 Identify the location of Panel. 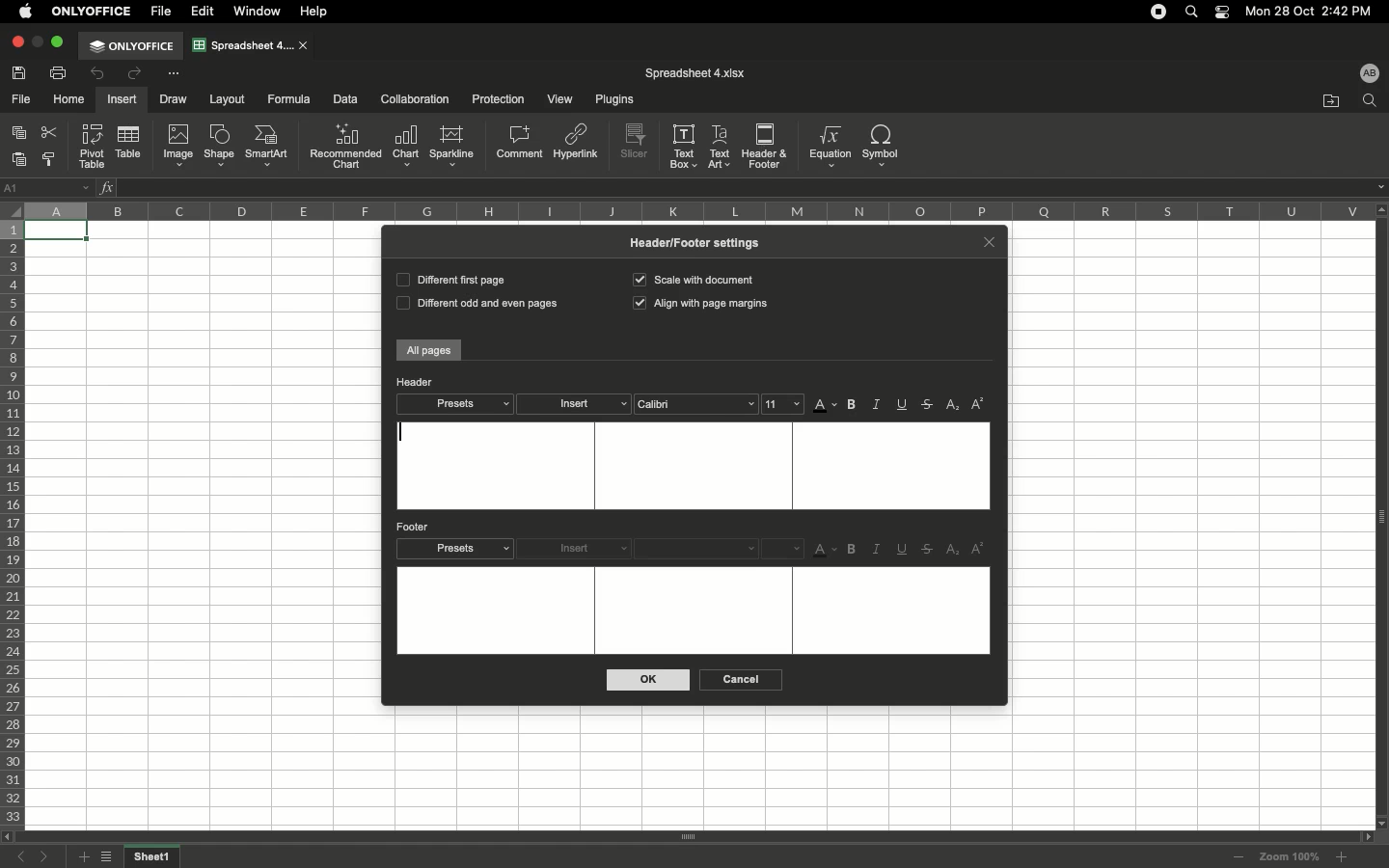
(1380, 517).